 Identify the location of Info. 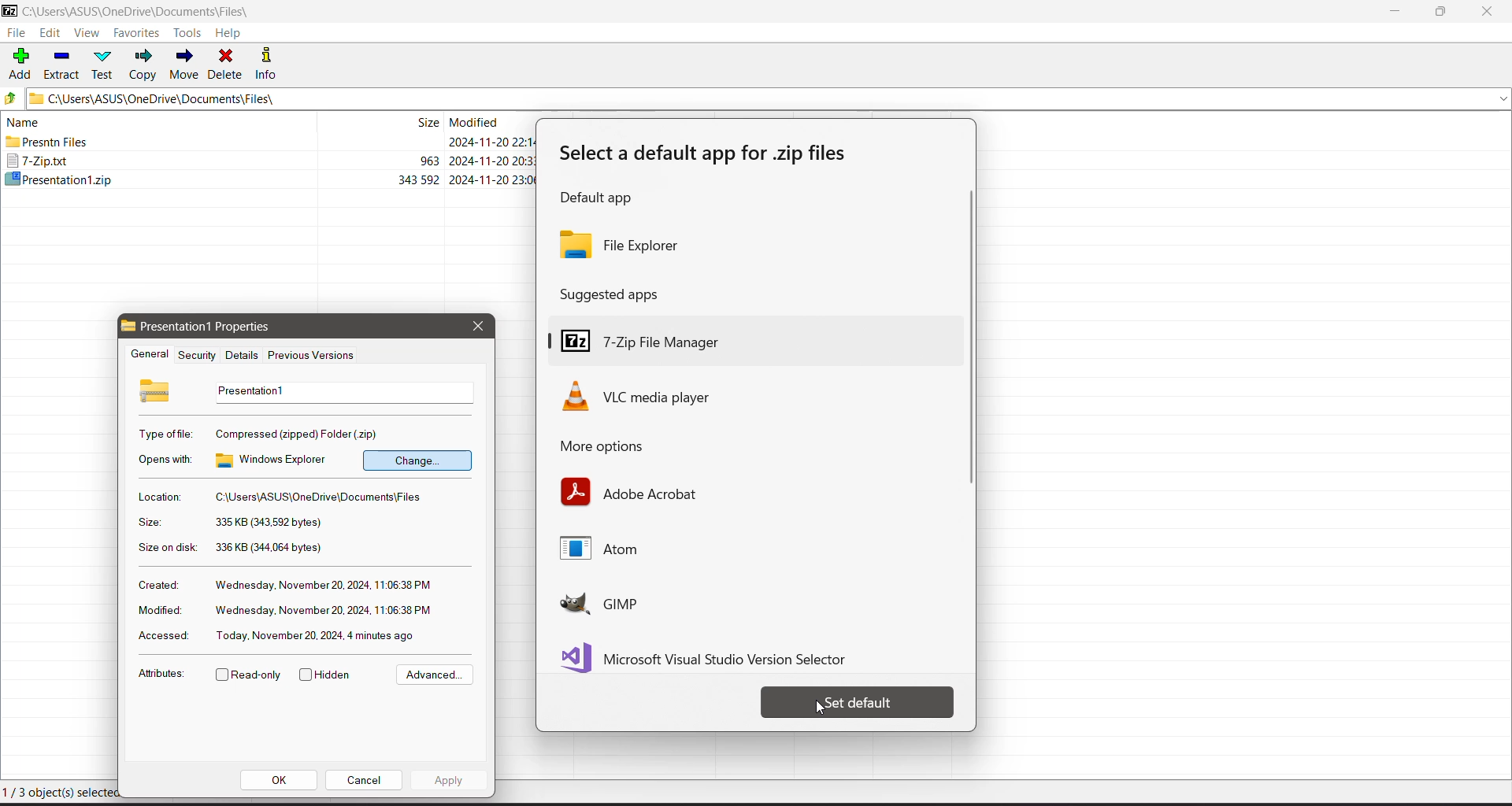
(272, 63).